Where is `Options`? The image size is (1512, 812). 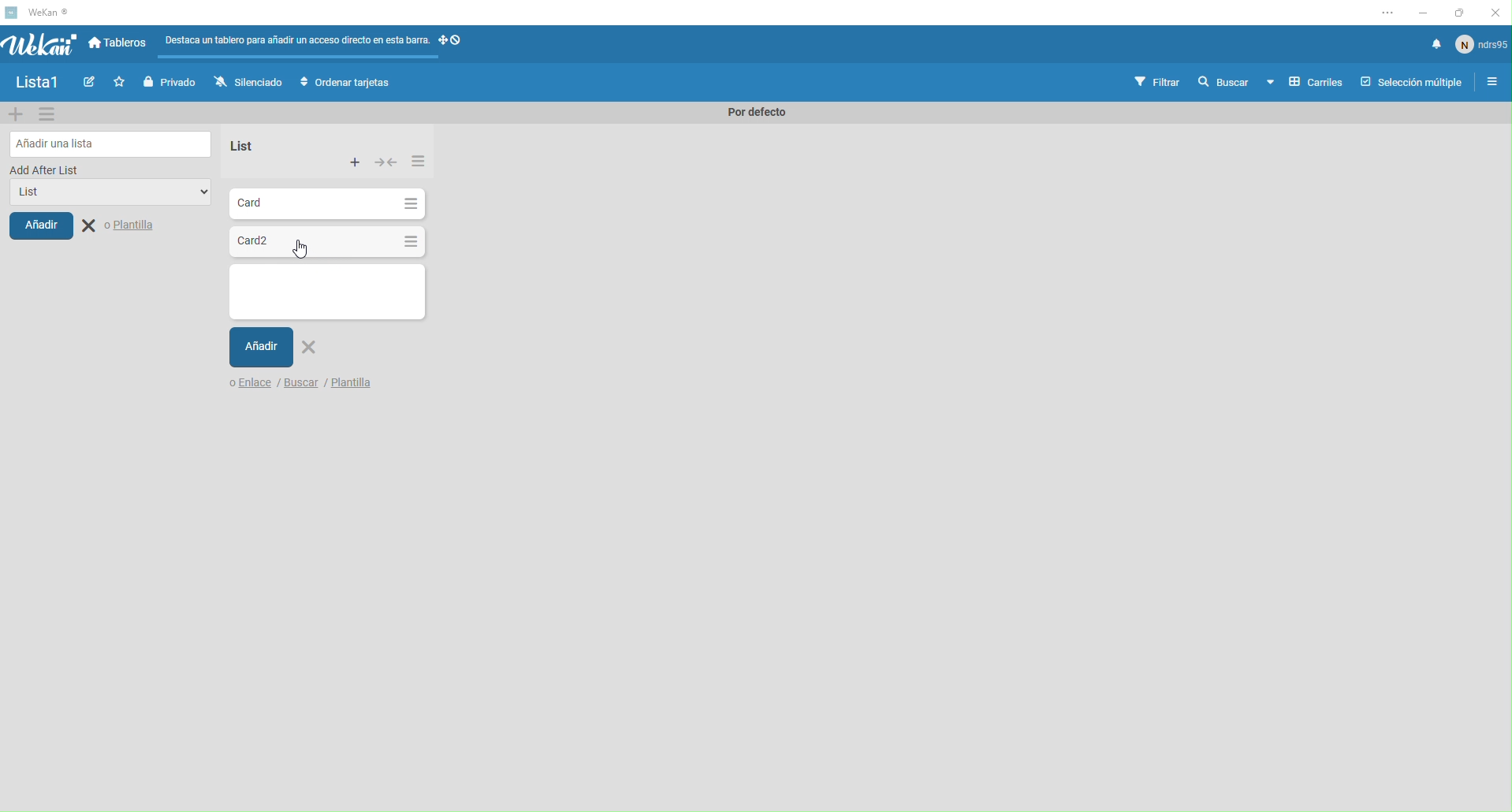 Options is located at coordinates (409, 242).